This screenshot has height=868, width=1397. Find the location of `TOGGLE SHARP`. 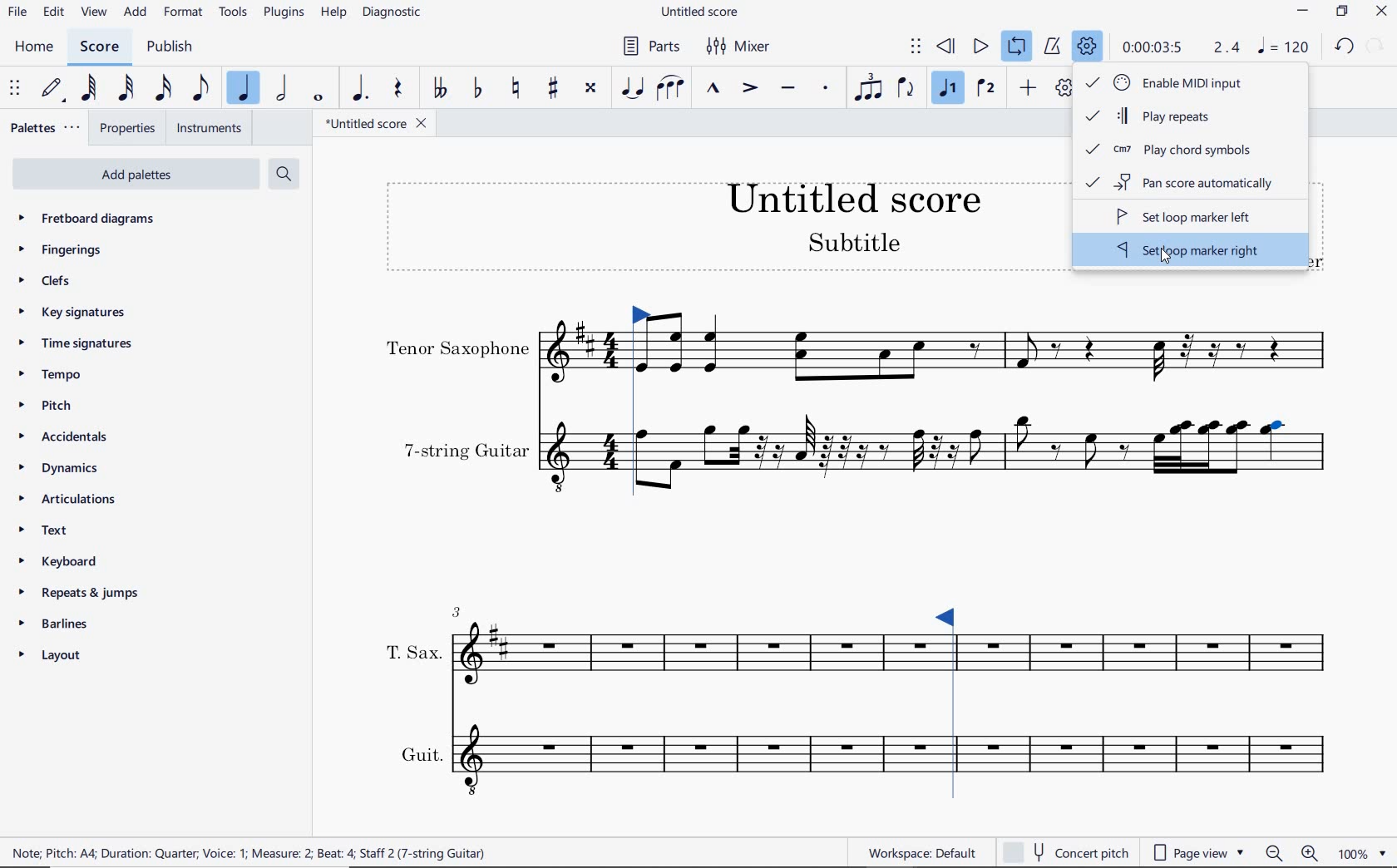

TOGGLE SHARP is located at coordinates (554, 87).